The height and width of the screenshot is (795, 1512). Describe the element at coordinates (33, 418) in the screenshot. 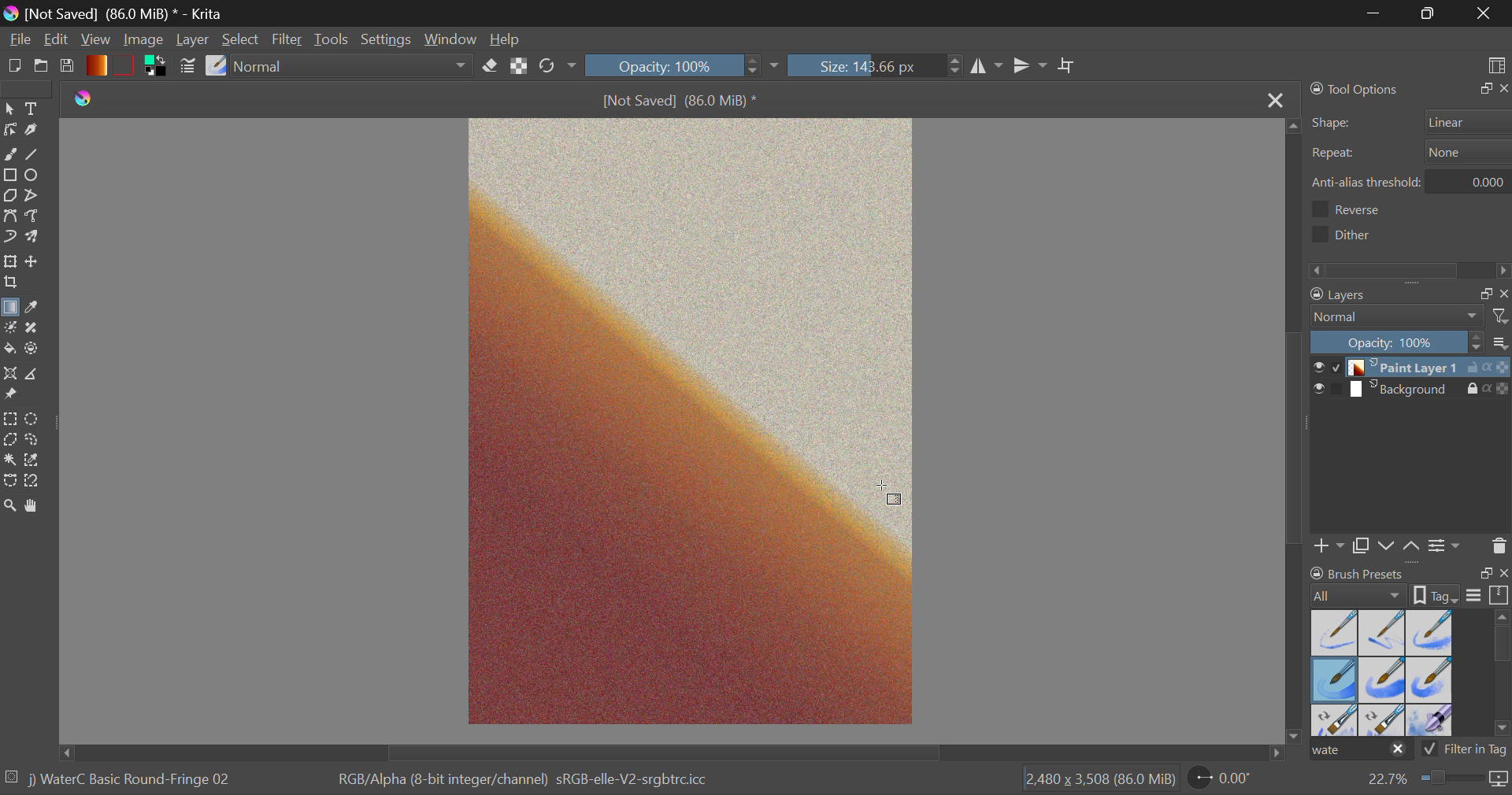

I see `Circular Selection` at that location.